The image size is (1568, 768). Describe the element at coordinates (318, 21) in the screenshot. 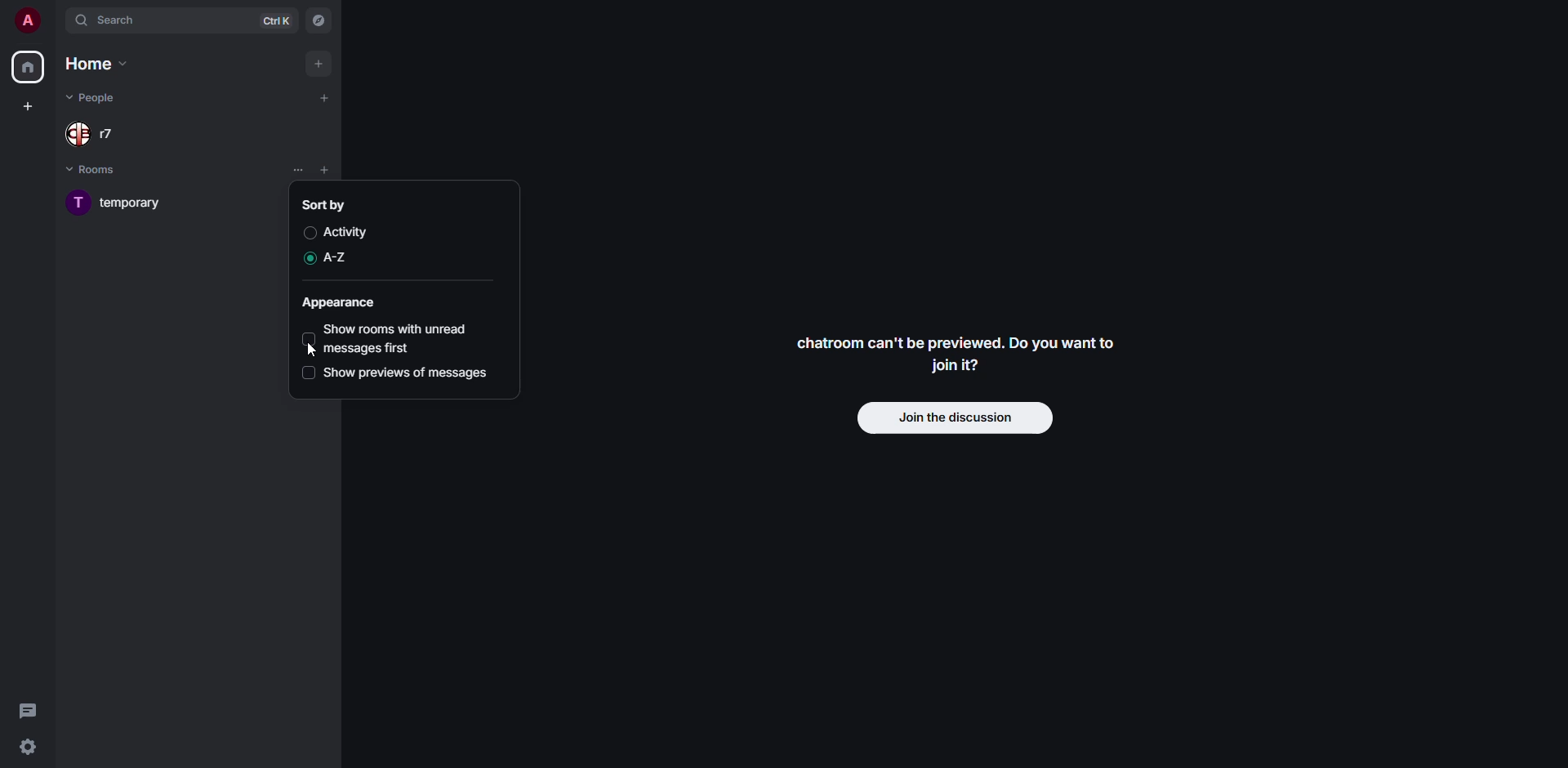

I see `navigator` at that location.